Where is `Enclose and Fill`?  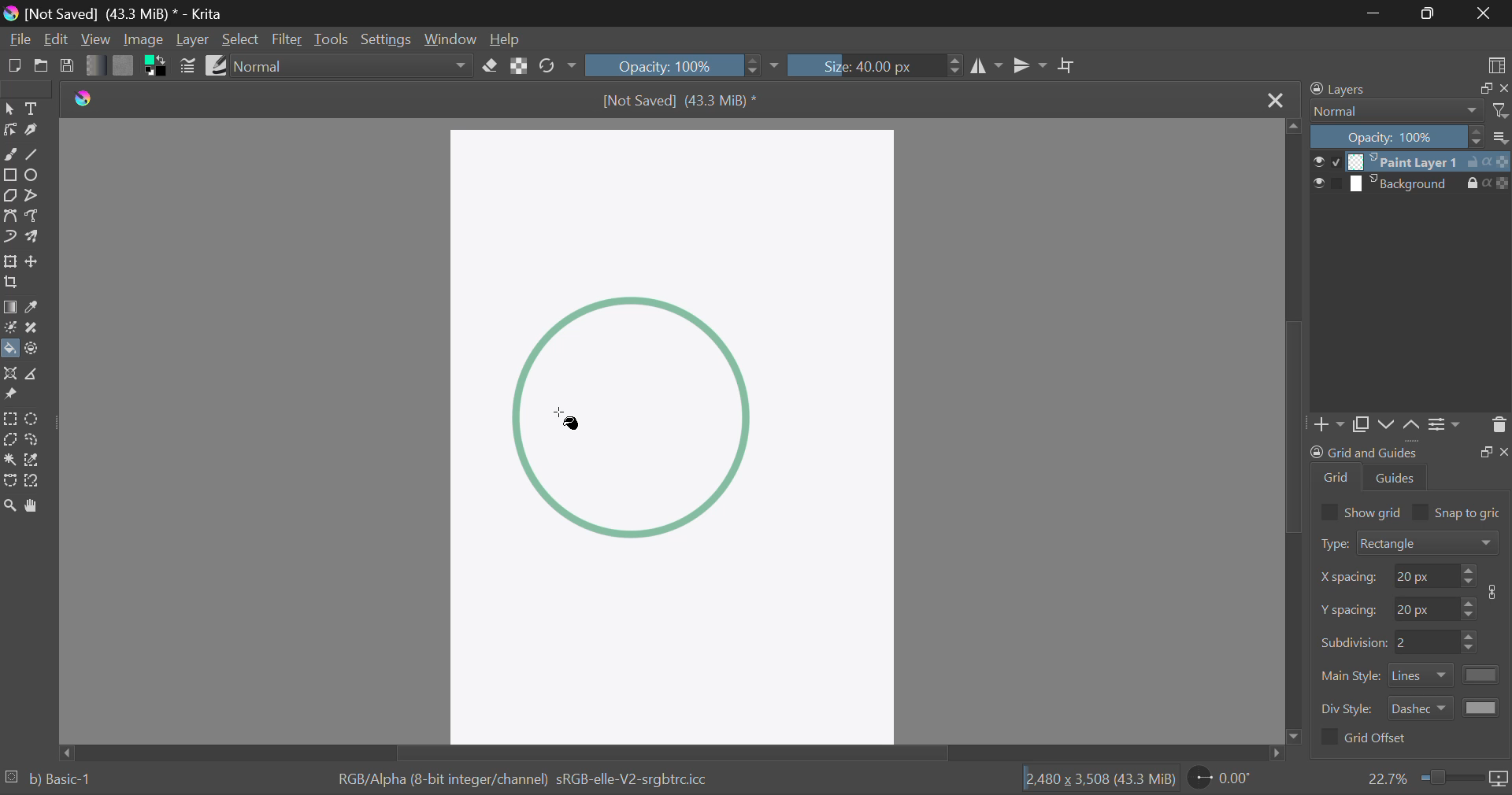 Enclose and Fill is located at coordinates (34, 349).